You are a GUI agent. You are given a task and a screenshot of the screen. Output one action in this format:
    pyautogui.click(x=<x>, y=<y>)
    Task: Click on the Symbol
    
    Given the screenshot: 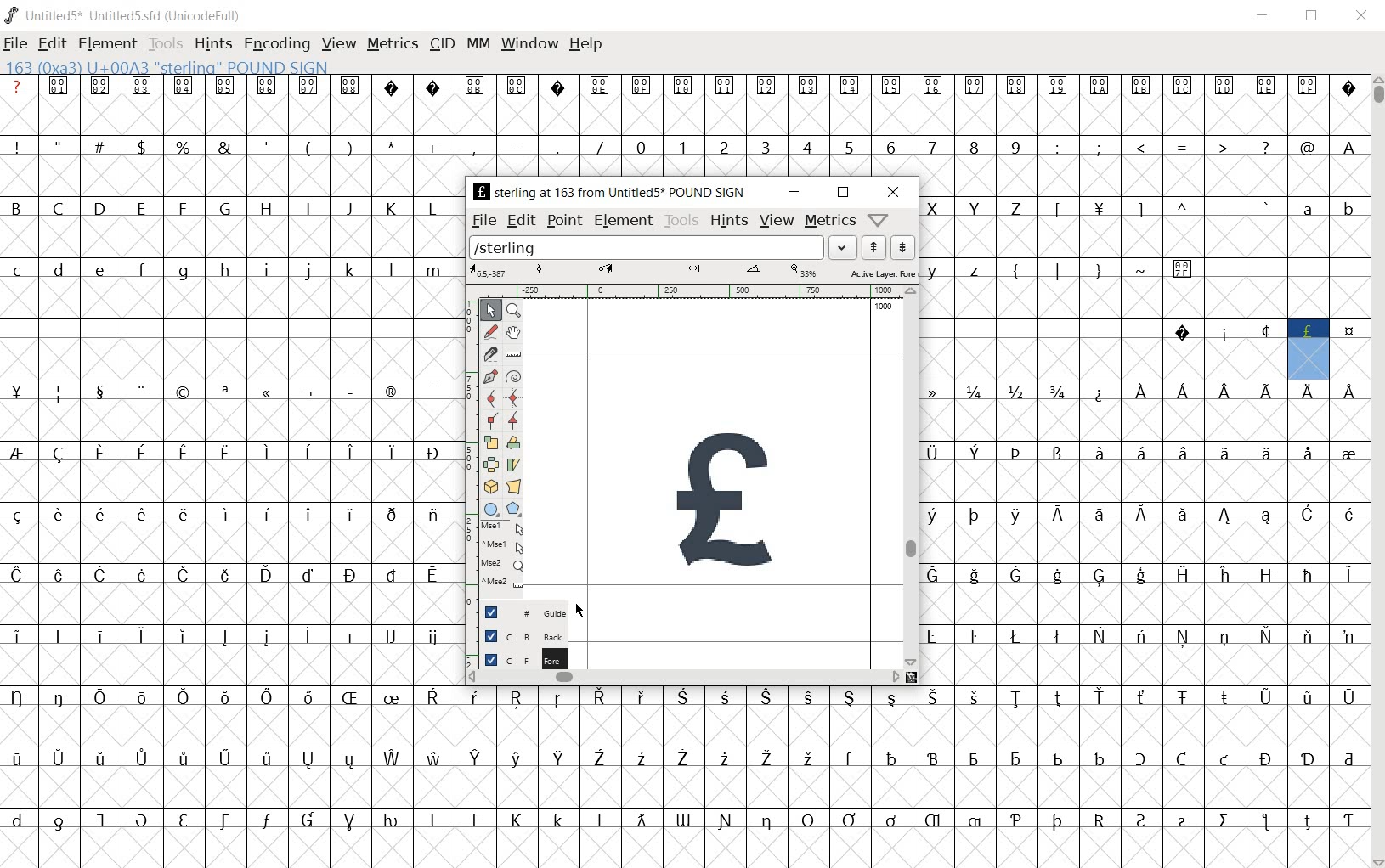 What is the action you would take?
    pyautogui.click(x=644, y=86)
    